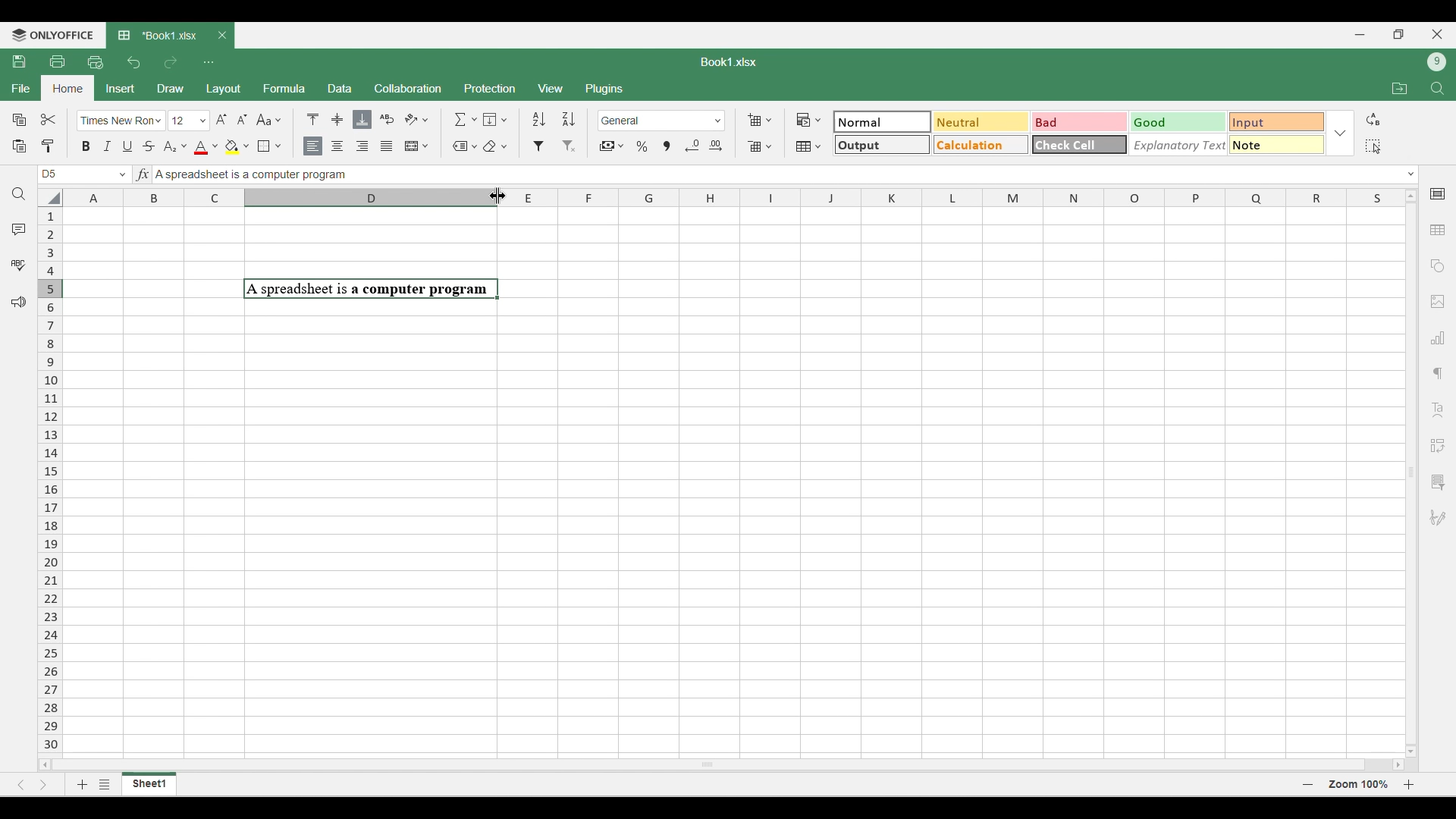 The width and height of the screenshot is (1456, 819). Describe the element at coordinates (667, 146) in the screenshot. I see `Comma style` at that location.